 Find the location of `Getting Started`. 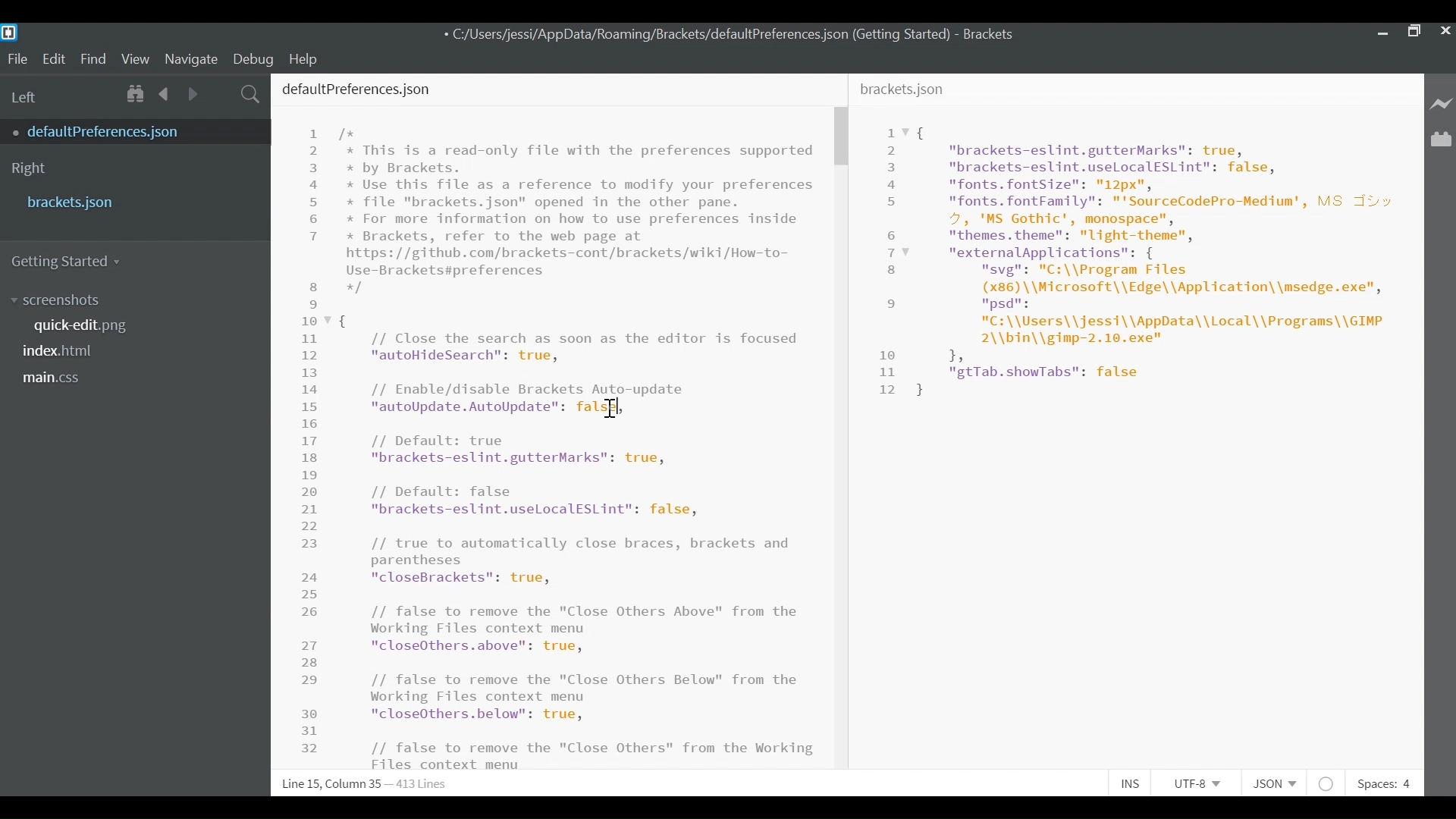

Getting Started is located at coordinates (73, 262).